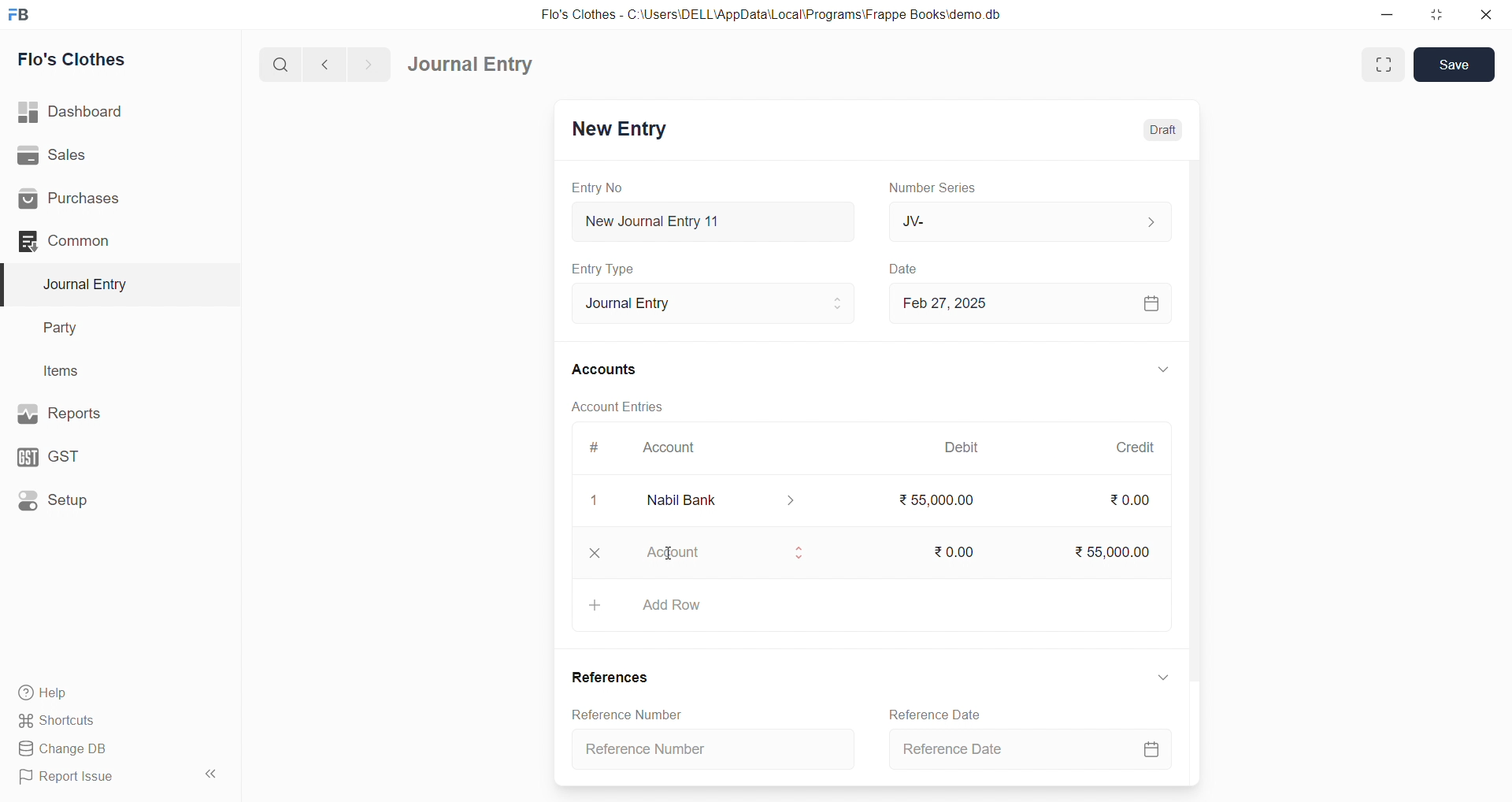  What do you see at coordinates (93, 414) in the screenshot?
I see `Reports` at bounding box center [93, 414].